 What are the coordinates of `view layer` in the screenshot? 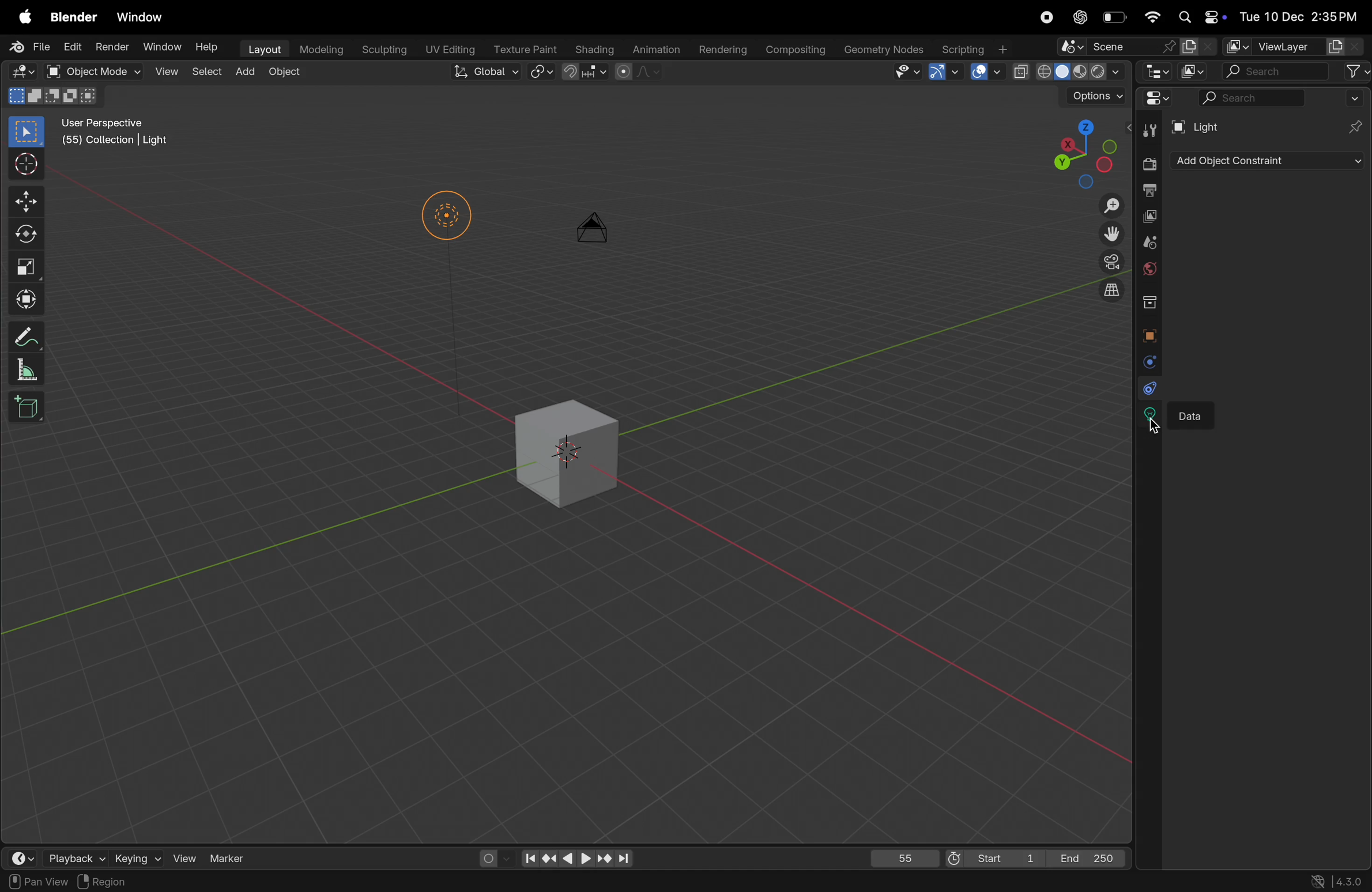 It's located at (1294, 47).